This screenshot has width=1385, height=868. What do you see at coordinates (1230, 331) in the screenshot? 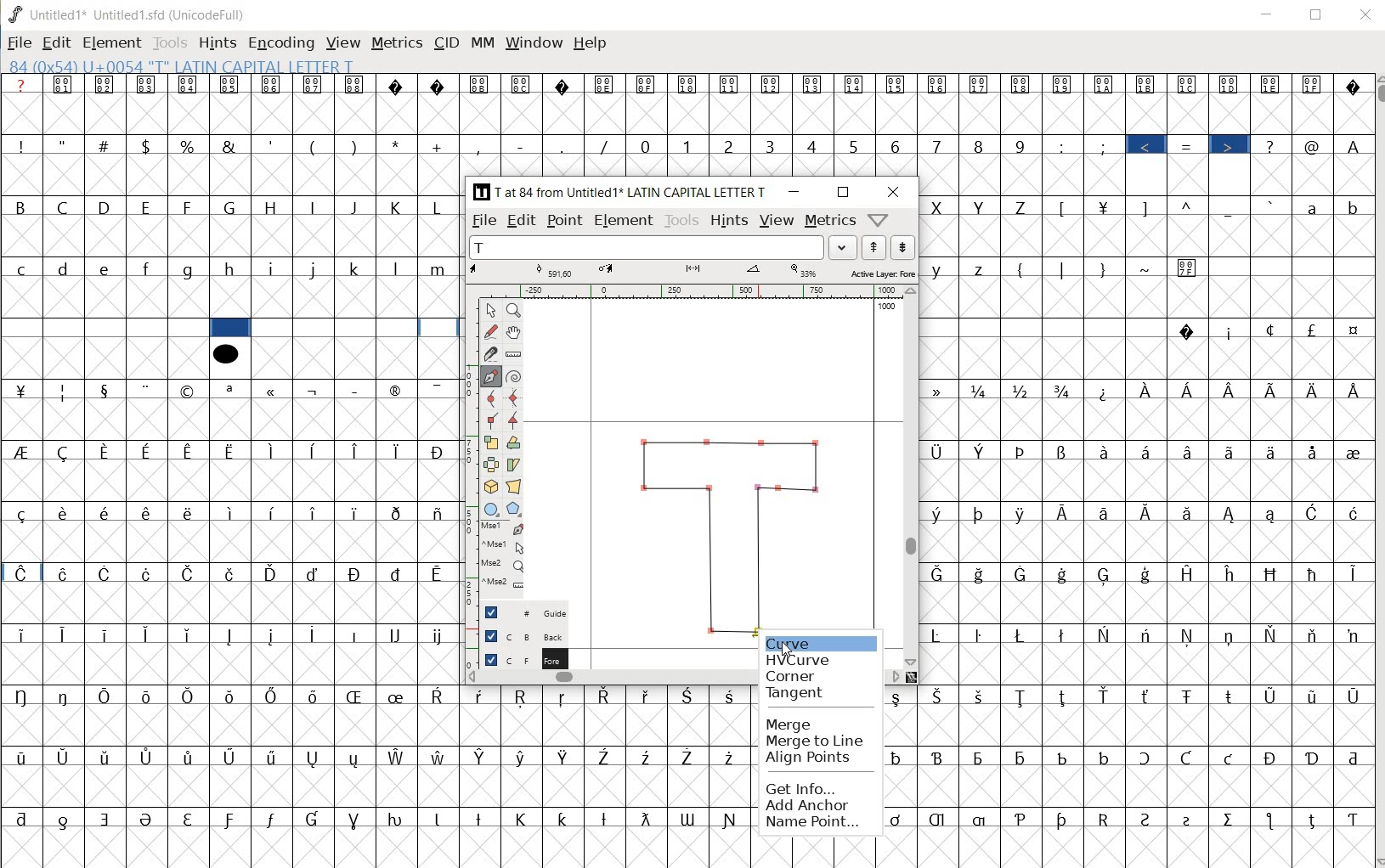
I see `Symbol` at bounding box center [1230, 331].